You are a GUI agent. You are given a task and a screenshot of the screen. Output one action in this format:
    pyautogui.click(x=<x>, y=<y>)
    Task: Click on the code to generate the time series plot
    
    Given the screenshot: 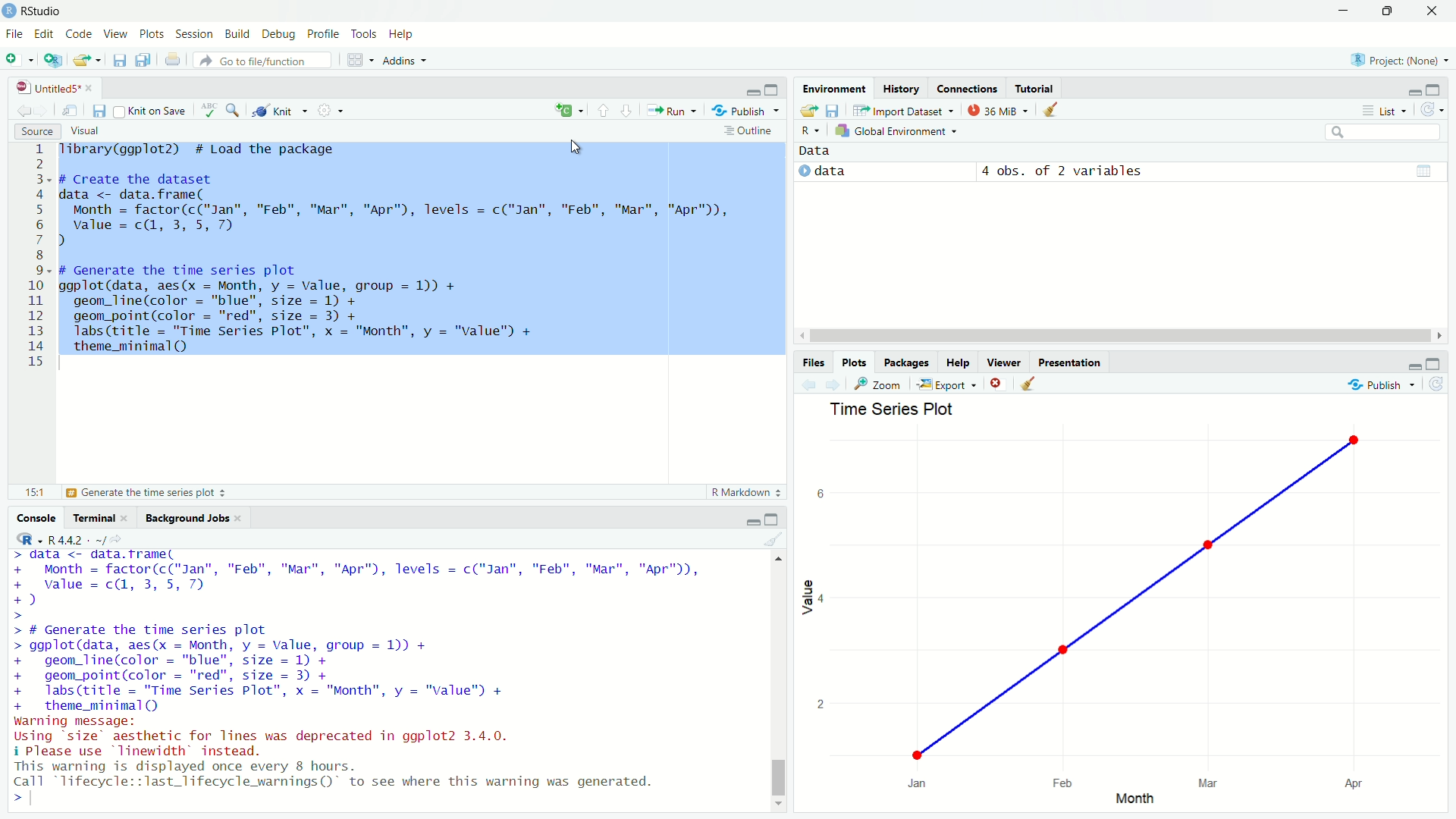 What is the action you would take?
    pyautogui.click(x=279, y=670)
    